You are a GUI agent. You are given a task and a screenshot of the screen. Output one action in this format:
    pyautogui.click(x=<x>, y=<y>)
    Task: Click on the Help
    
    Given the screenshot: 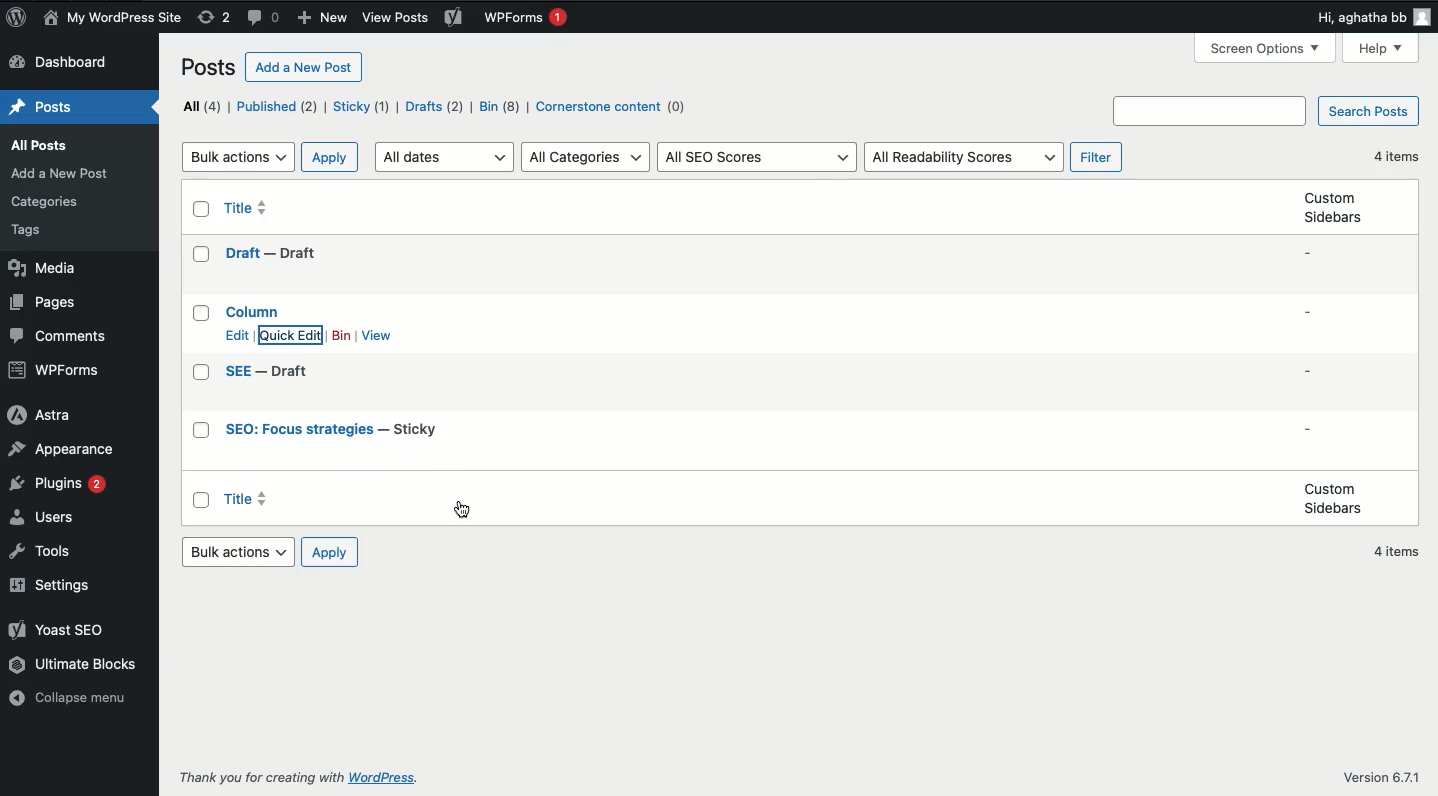 What is the action you would take?
    pyautogui.click(x=1380, y=49)
    